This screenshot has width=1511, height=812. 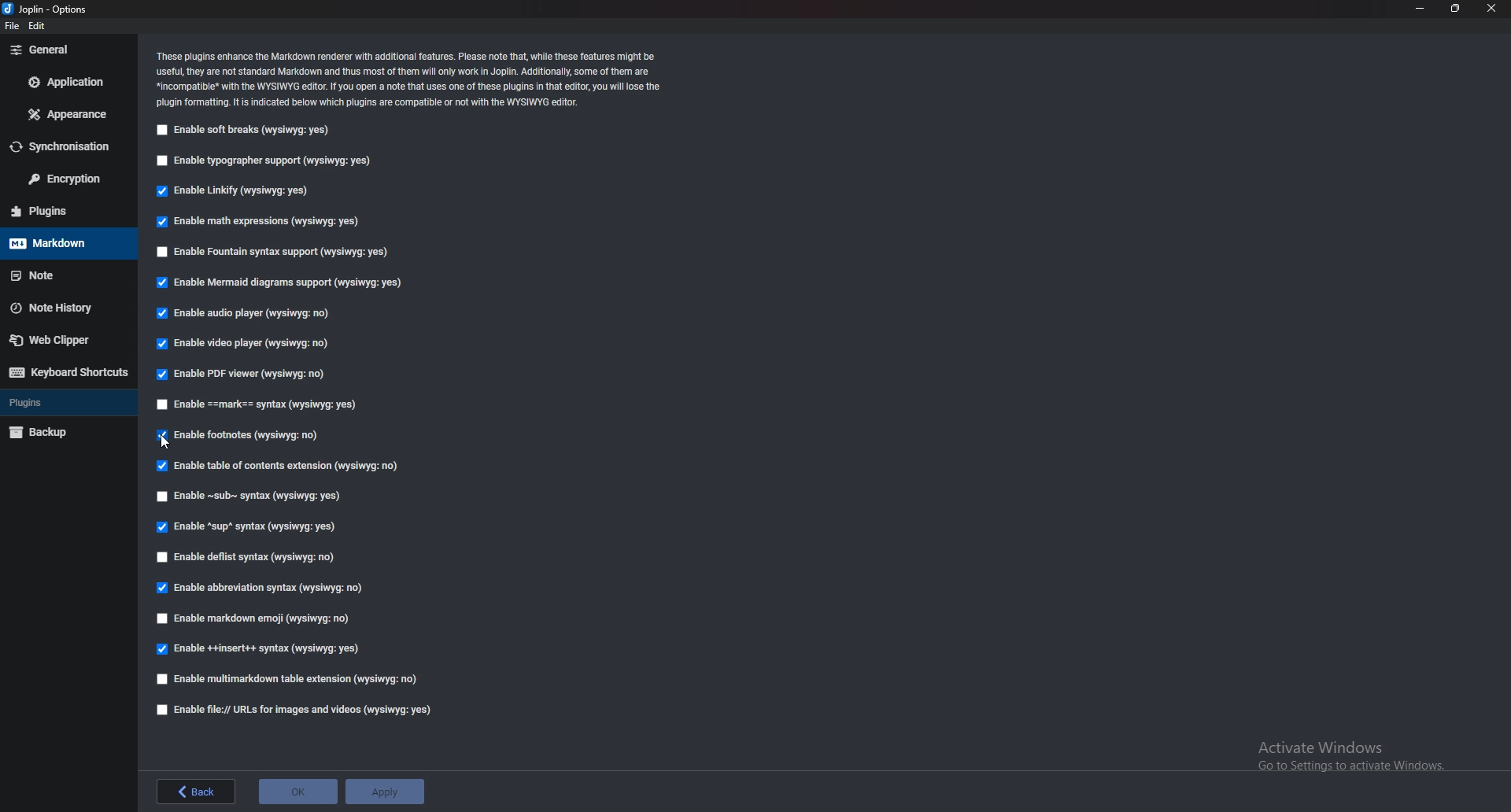 What do you see at coordinates (257, 589) in the screenshot?
I see `Enable abbreviation syntax` at bounding box center [257, 589].